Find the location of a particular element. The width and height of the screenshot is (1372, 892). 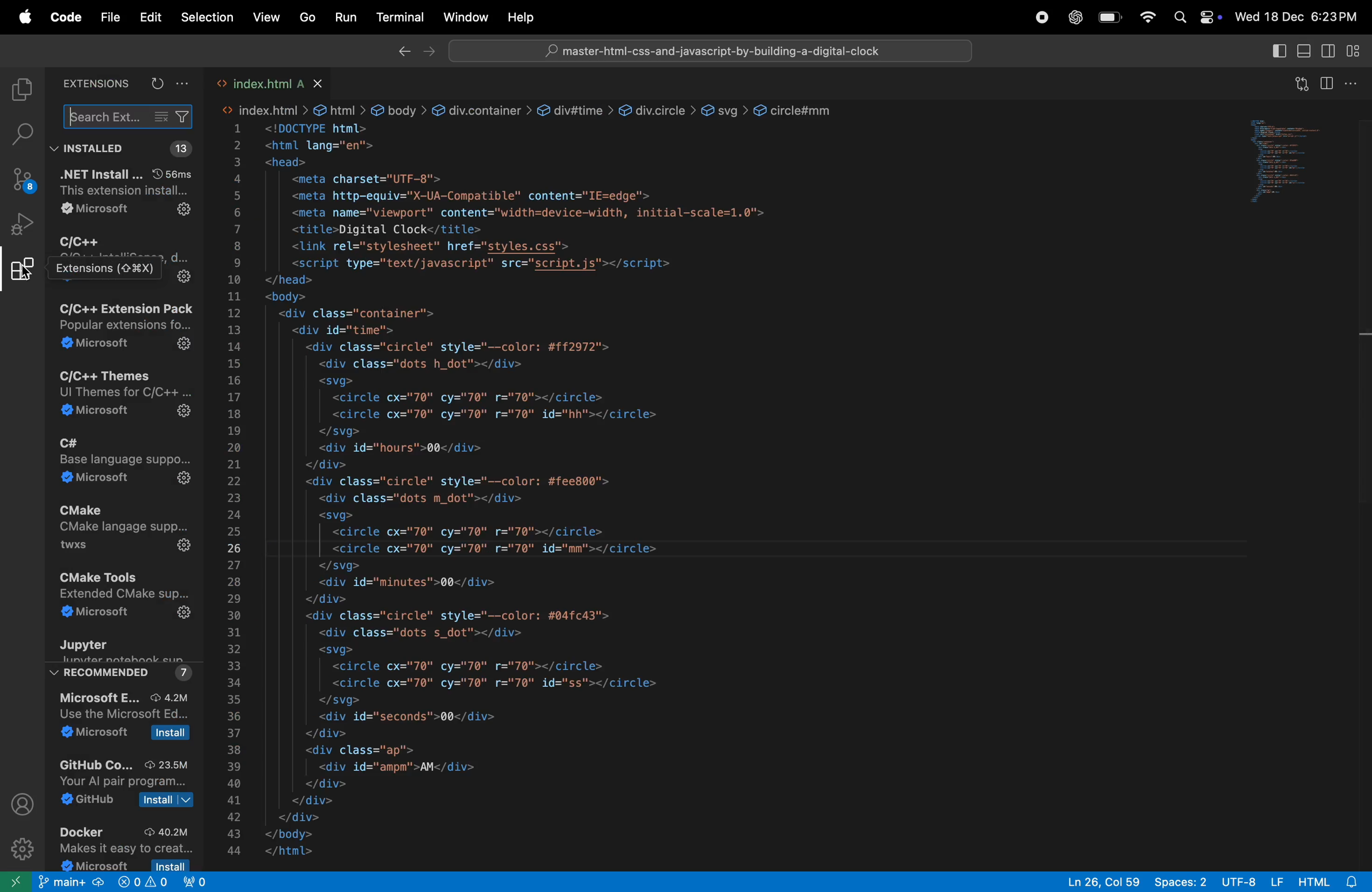

selection is located at coordinates (207, 20).